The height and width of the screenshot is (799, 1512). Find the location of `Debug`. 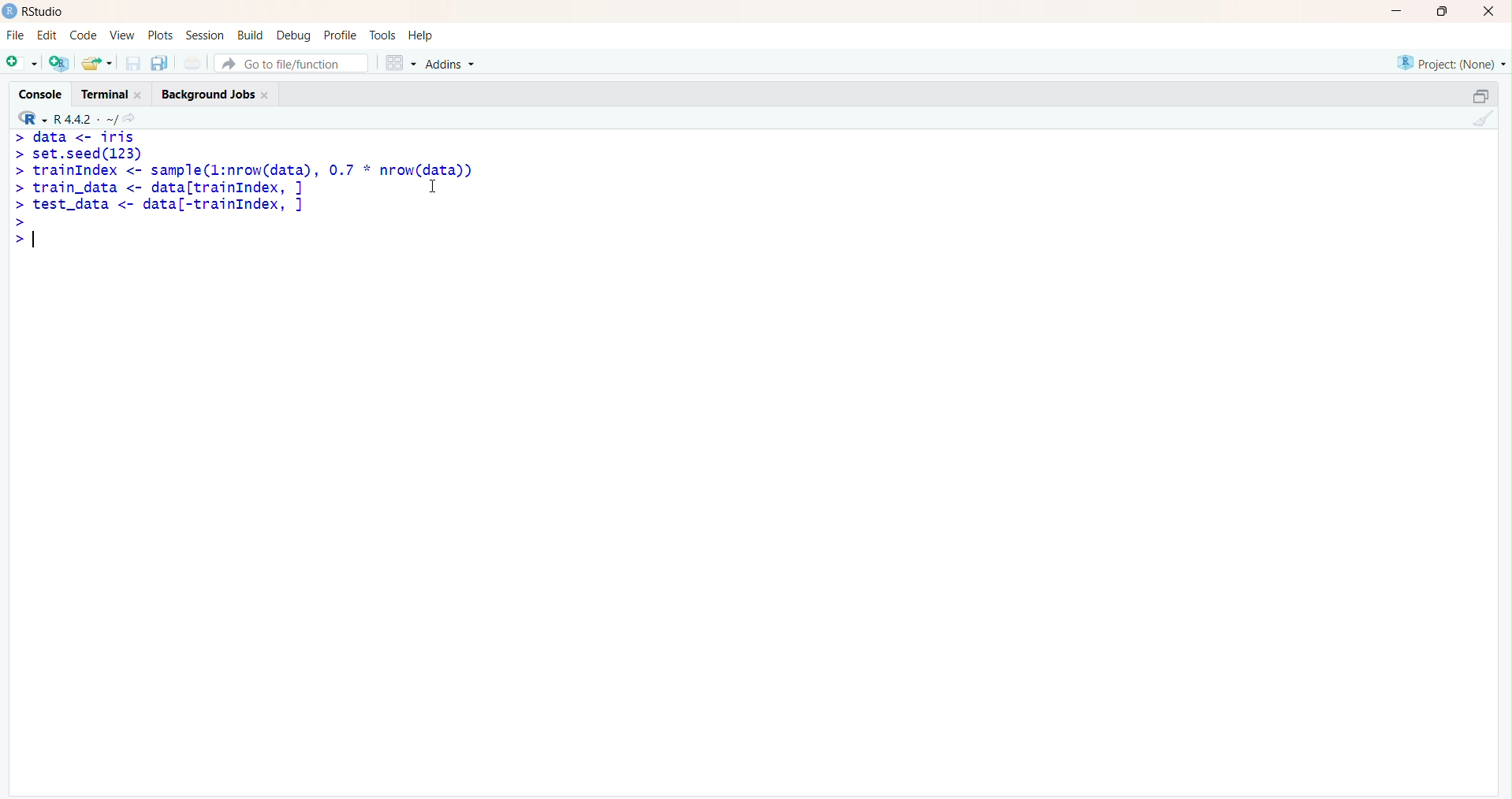

Debug is located at coordinates (295, 34).